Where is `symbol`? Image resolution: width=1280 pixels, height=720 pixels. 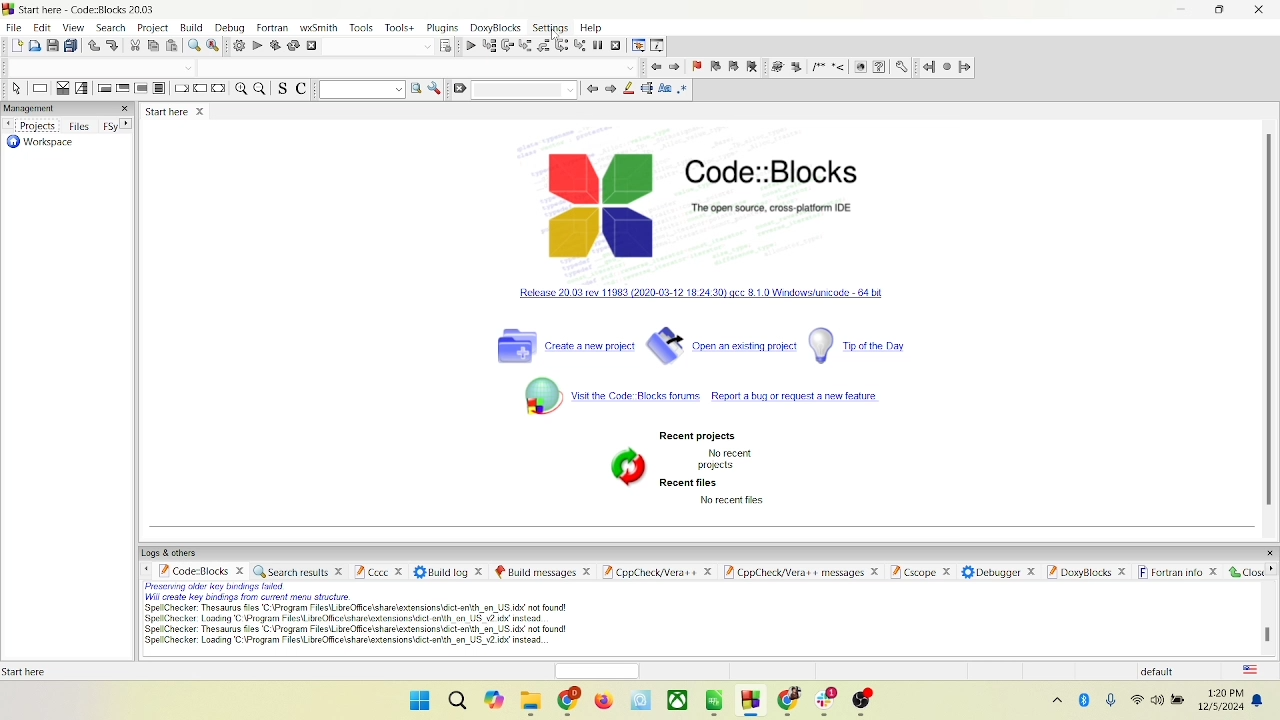 symbol is located at coordinates (623, 466).